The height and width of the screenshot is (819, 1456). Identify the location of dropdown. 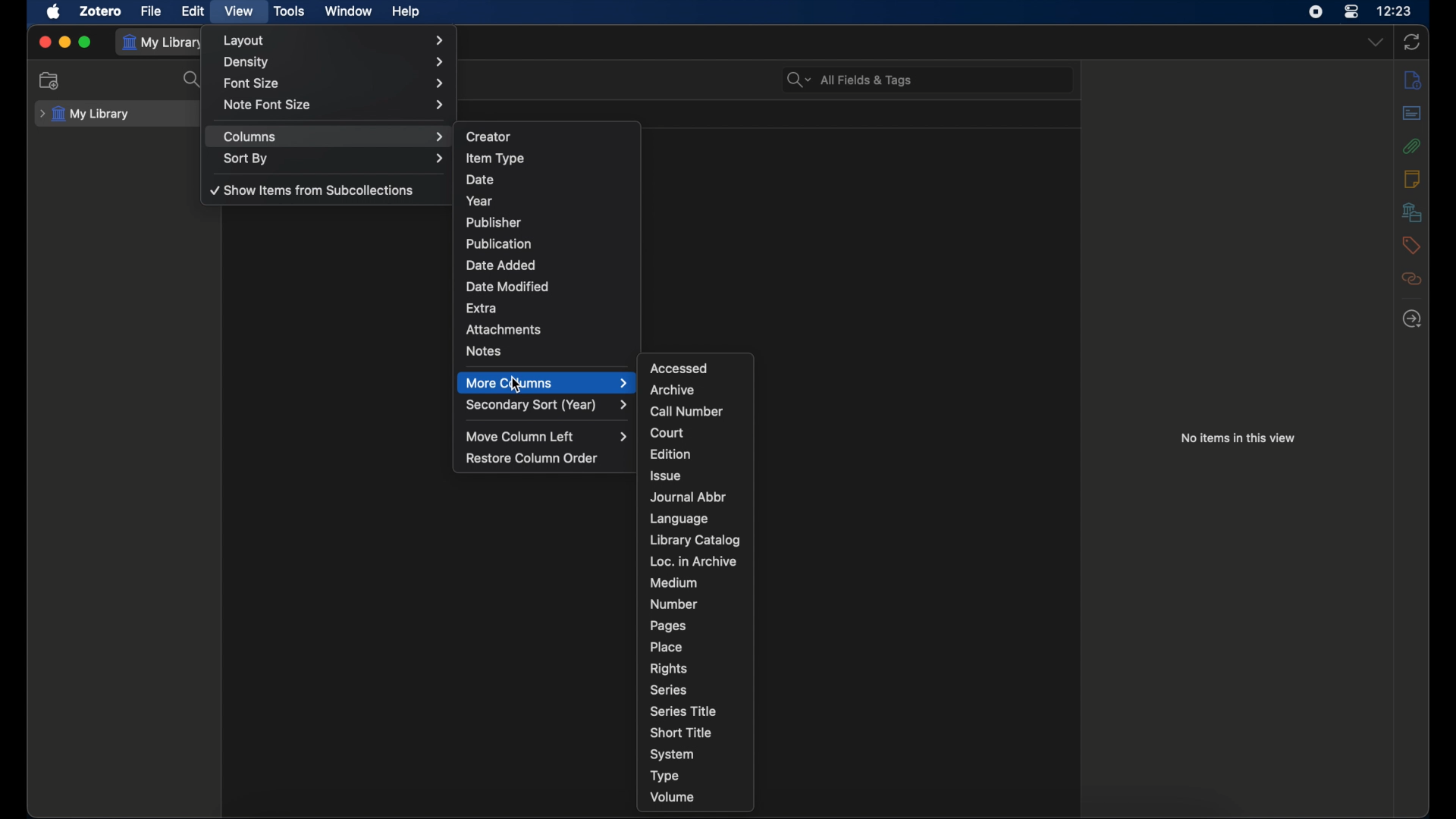
(1376, 42).